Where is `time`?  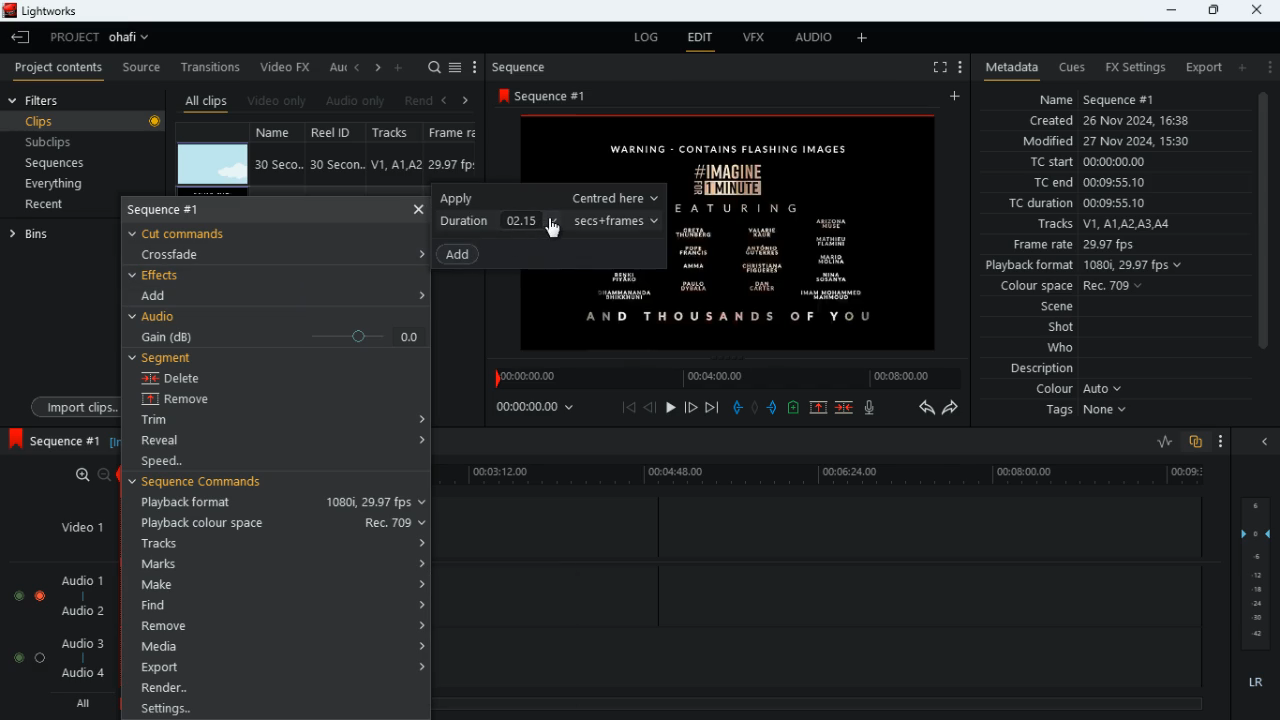
time is located at coordinates (544, 406).